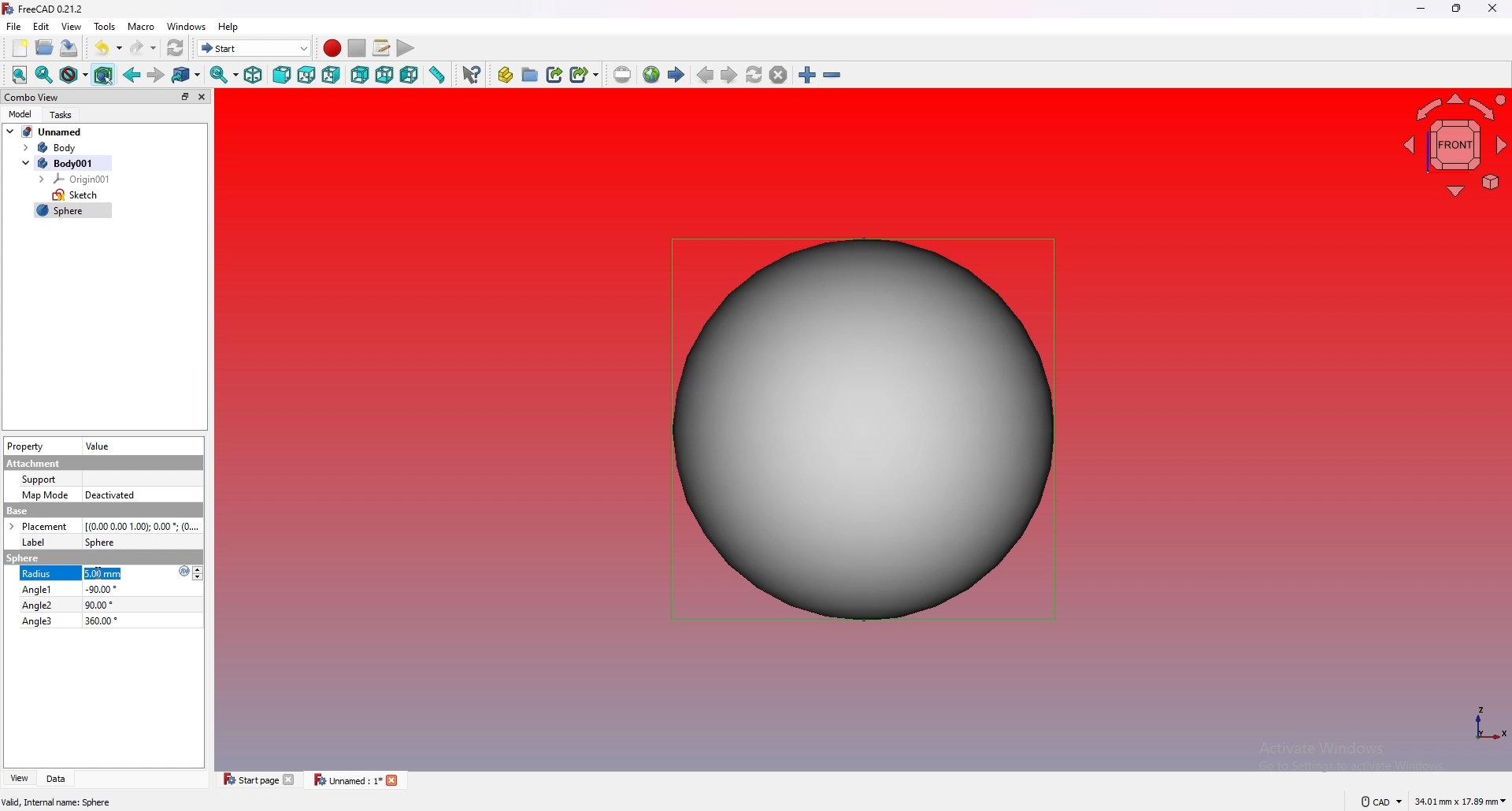  I want to click on origin001, so click(76, 179).